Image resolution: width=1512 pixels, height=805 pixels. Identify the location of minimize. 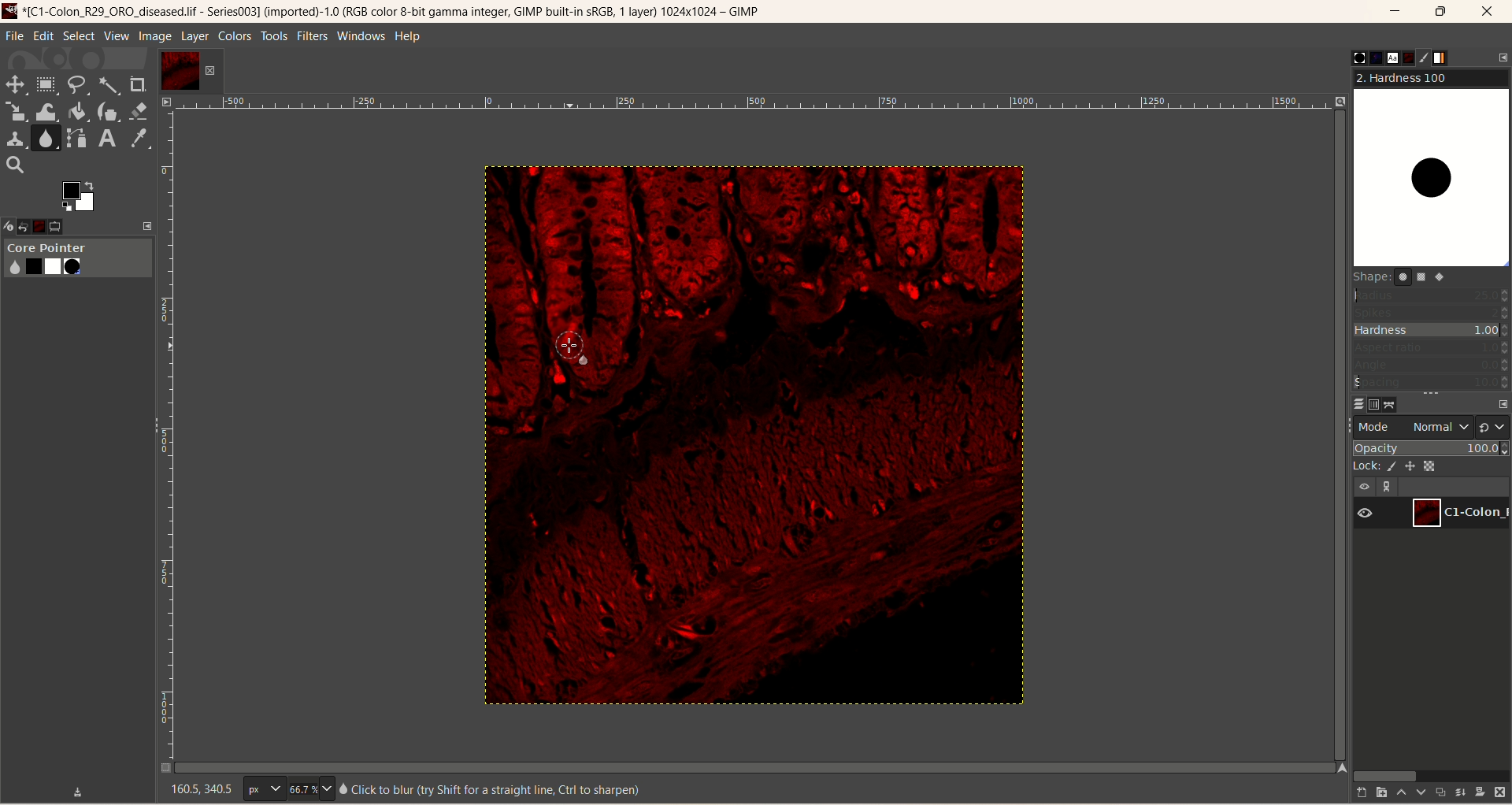
(1395, 14).